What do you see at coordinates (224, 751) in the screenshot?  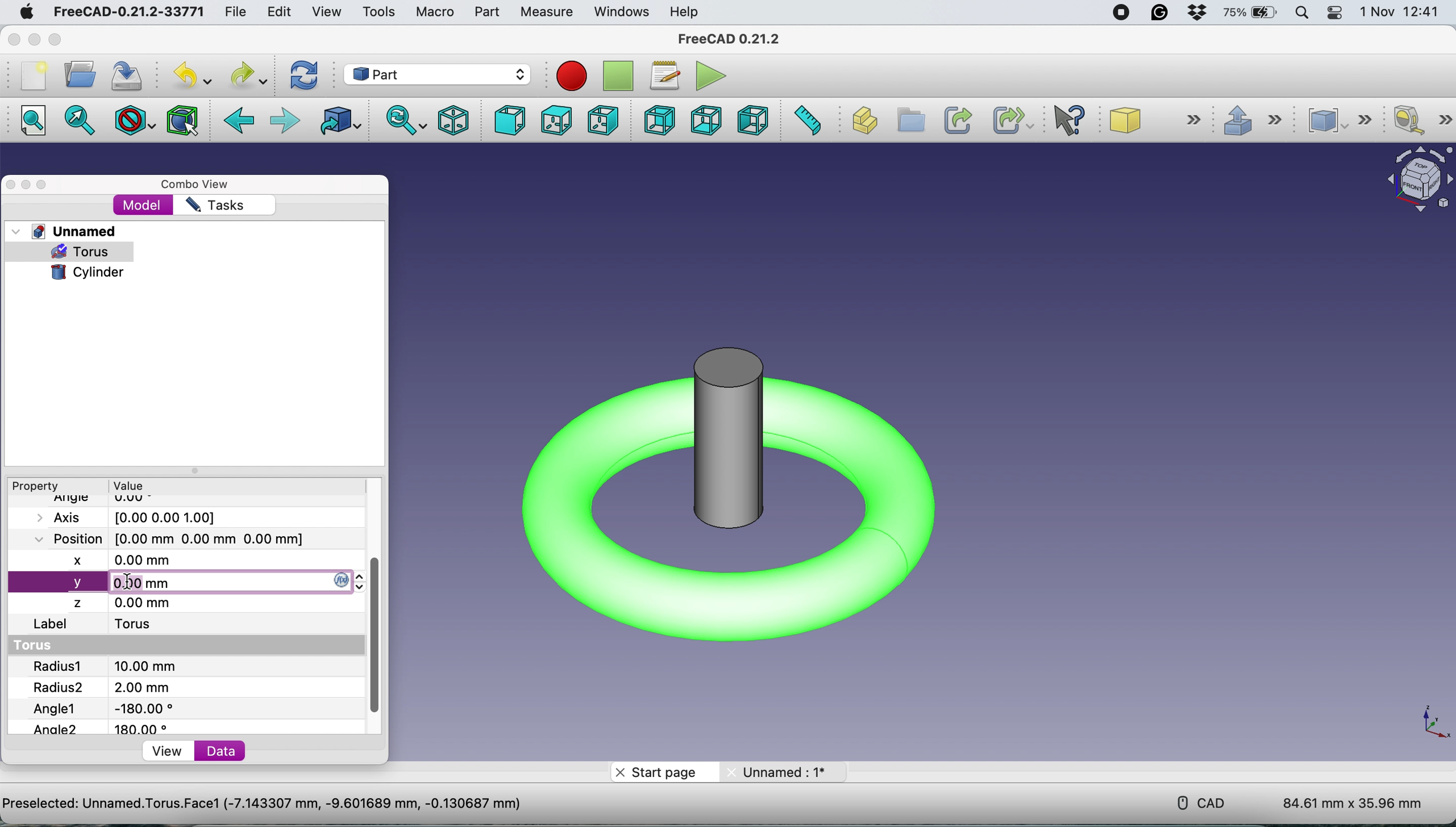 I see `data` at bounding box center [224, 751].